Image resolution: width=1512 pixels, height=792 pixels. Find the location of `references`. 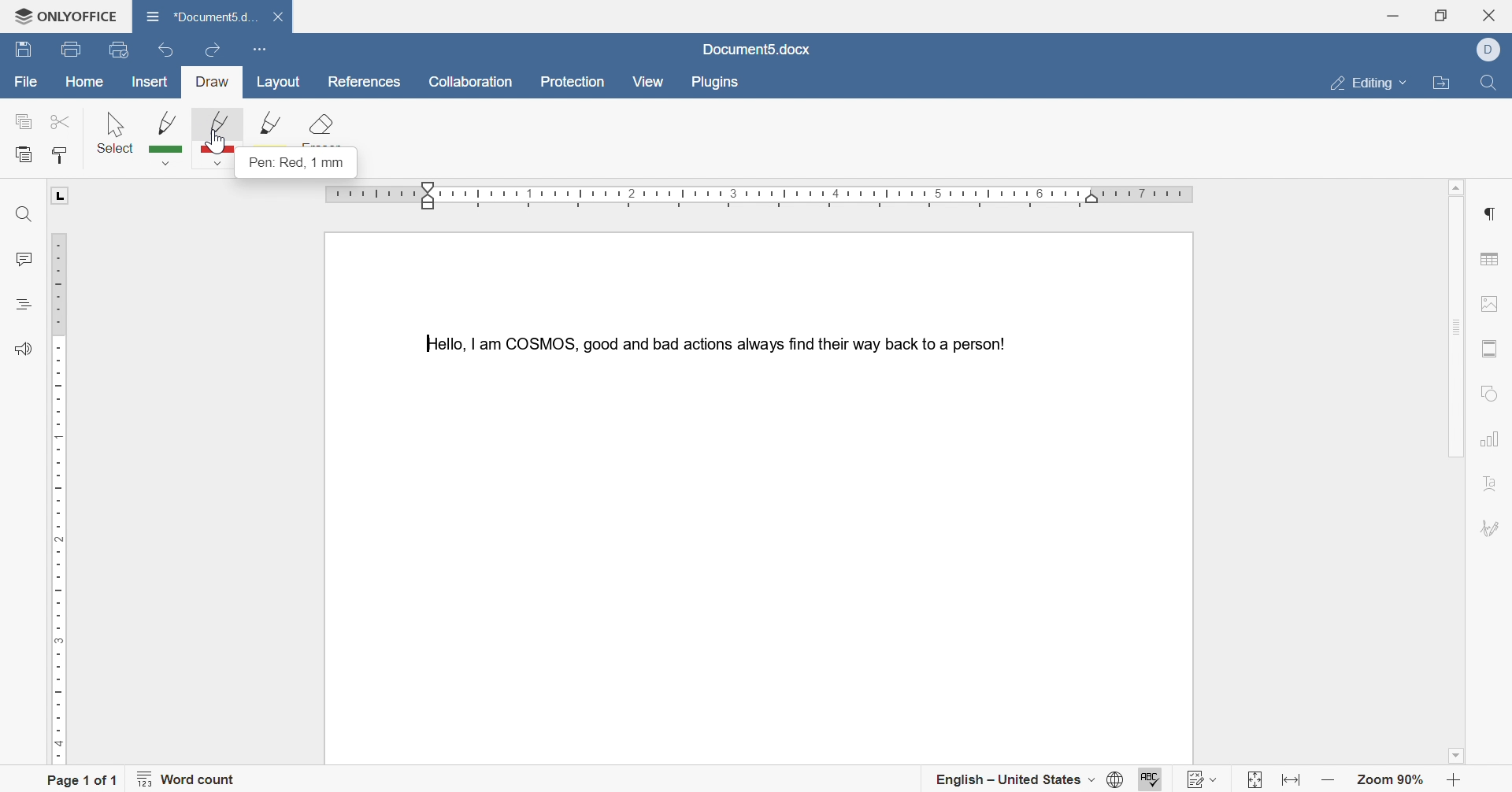

references is located at coordinates (362, 82).